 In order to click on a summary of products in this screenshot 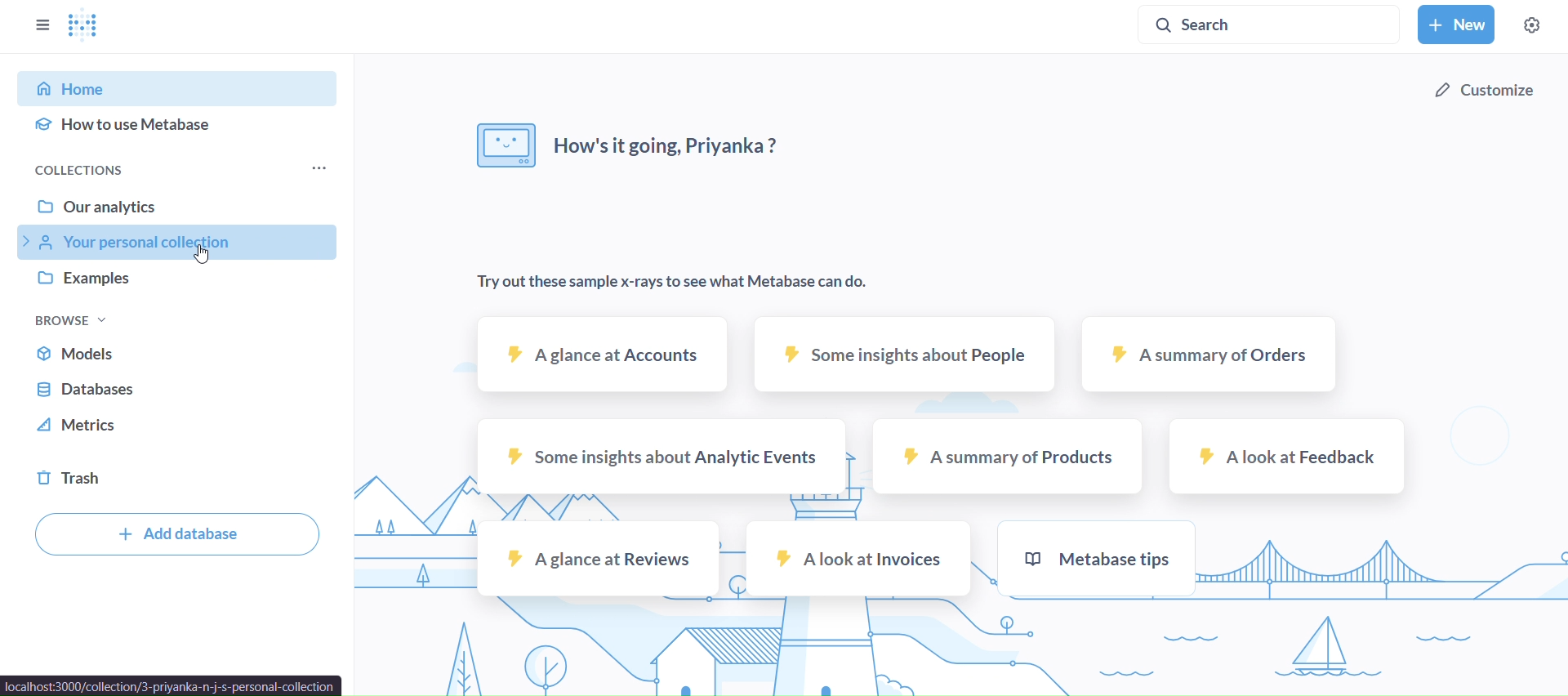, I will do `click(1010, 457)`.